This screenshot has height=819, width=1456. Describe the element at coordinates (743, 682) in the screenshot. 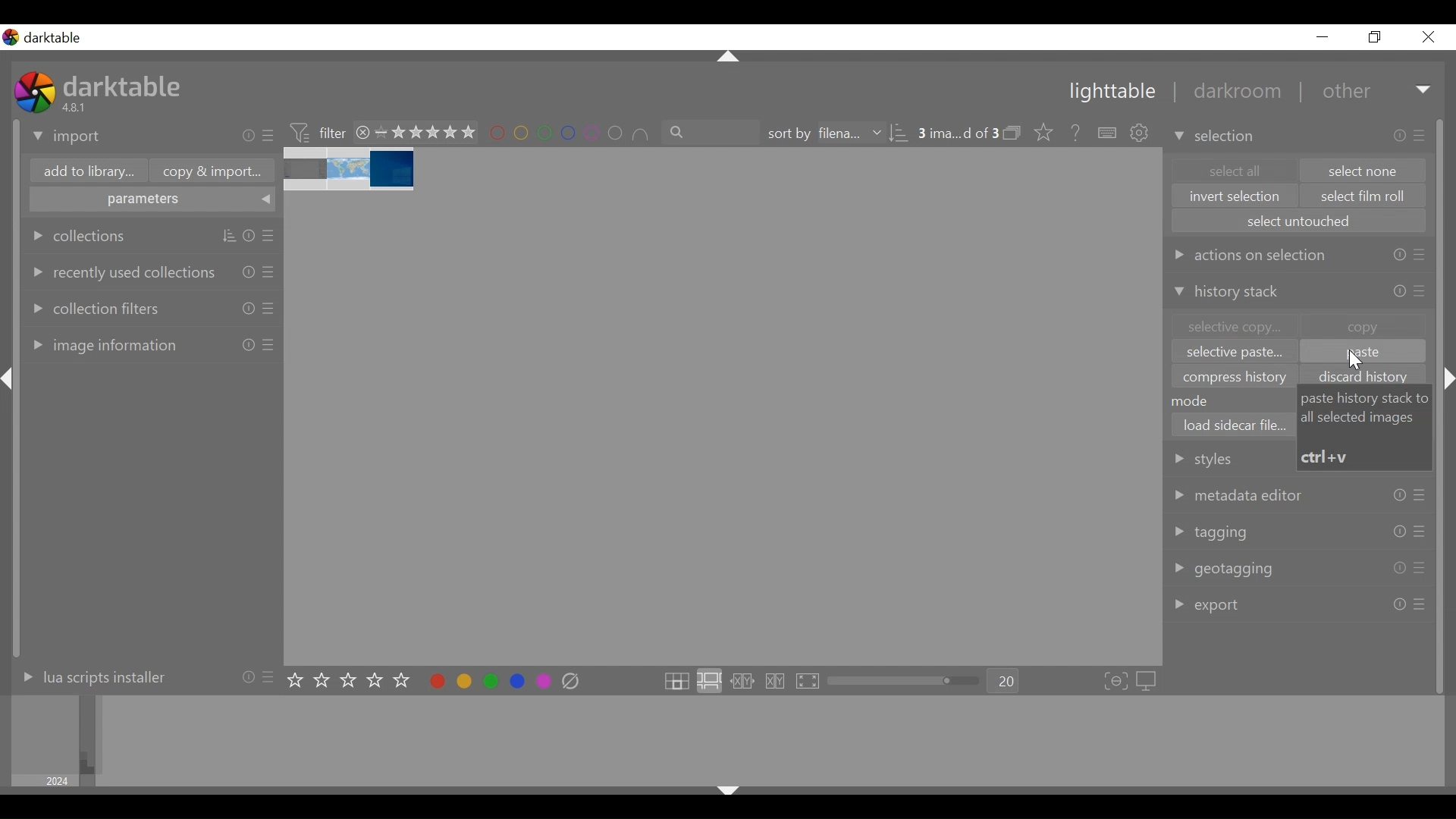

I see `click to enter culling layout in fixed mode` at that location.